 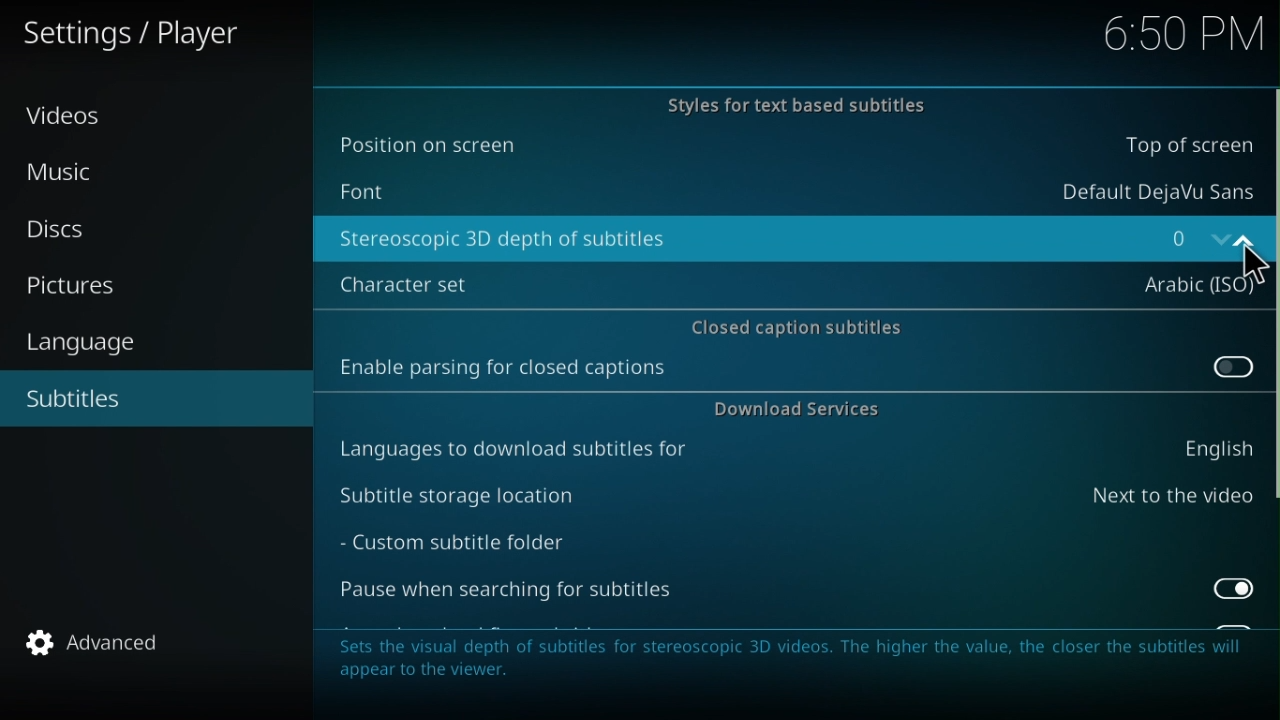 What do you see at coordinates (101, 646) in the screenshot?
I see `Advanced` at bounding box center [101, 646].